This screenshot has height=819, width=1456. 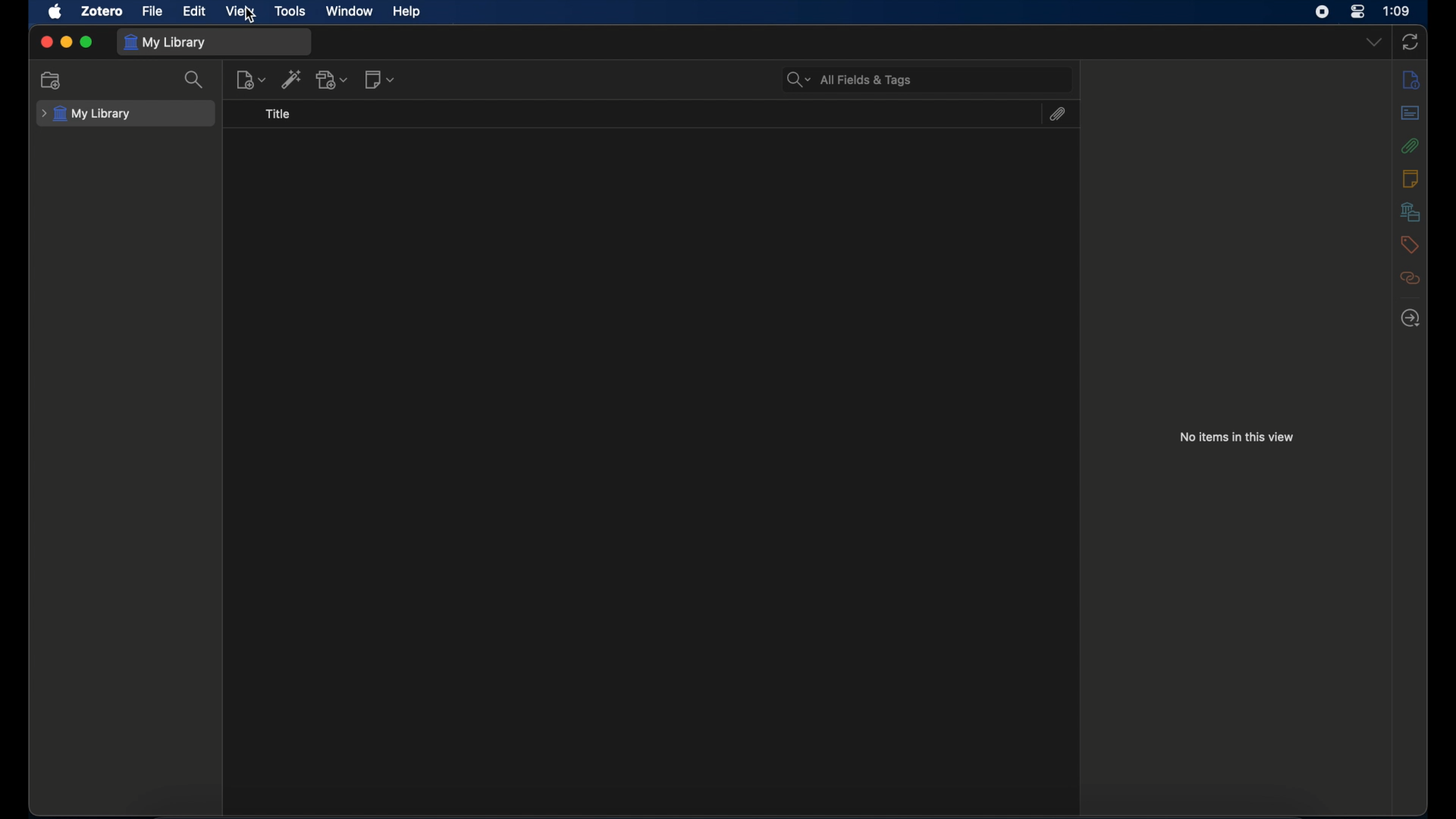 What do you see at coordinates (238, 11) in the screenshot?
I see `view` at bounding box center [238, 11].